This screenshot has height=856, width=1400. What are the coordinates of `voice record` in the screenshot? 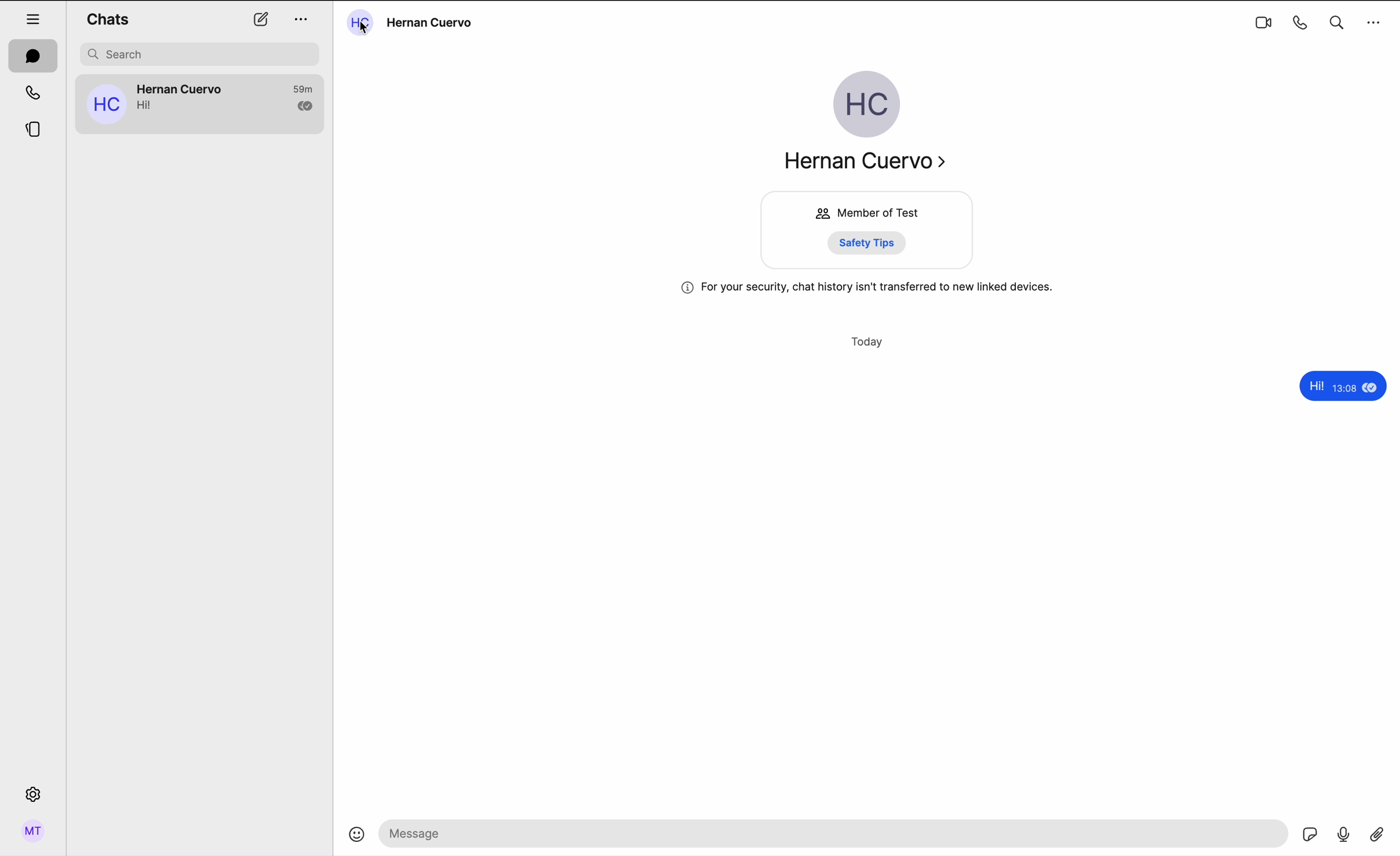 It's located at (1344, 838).